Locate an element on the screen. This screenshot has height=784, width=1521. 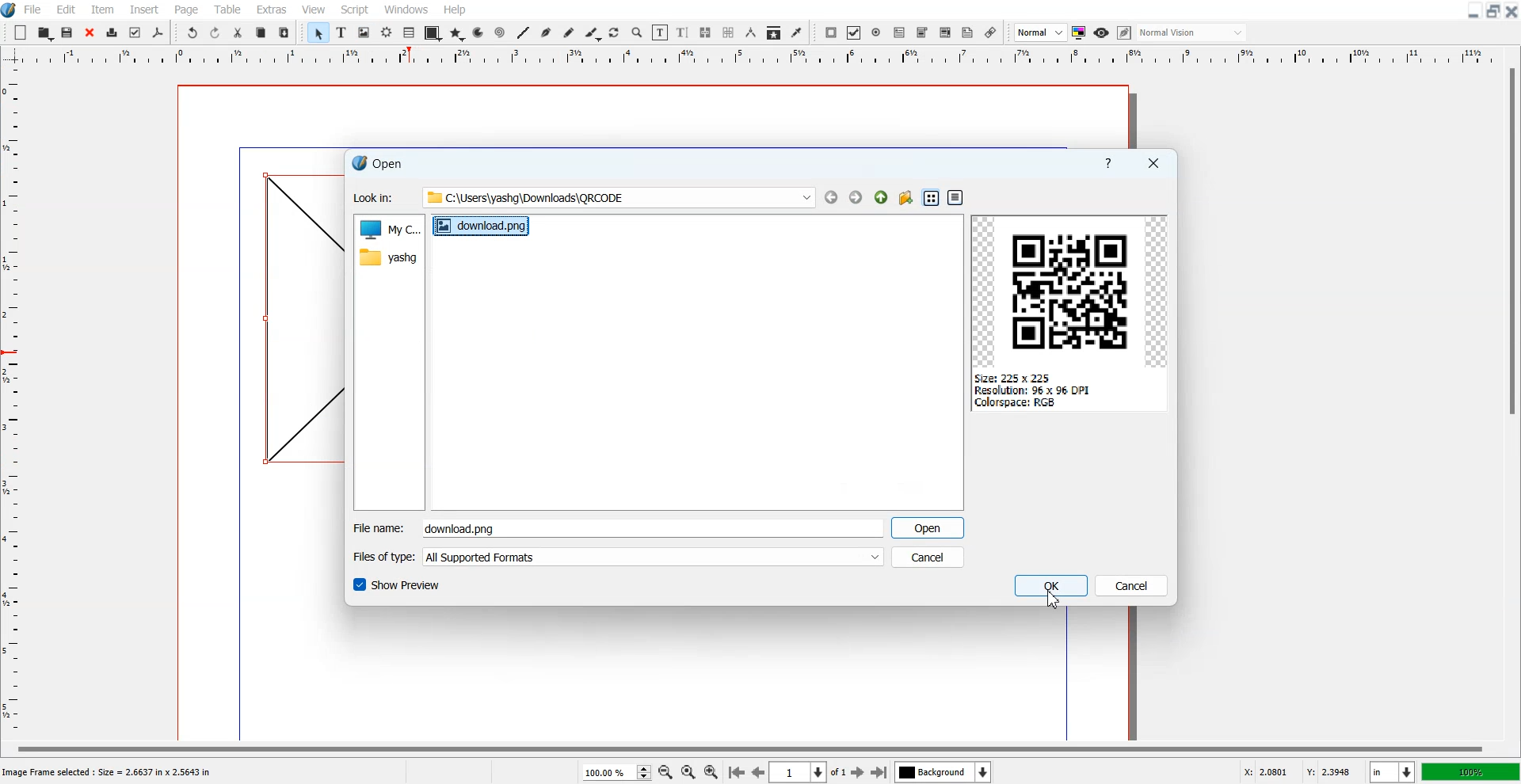
Rotate Item is located at coordinates (615, 33).